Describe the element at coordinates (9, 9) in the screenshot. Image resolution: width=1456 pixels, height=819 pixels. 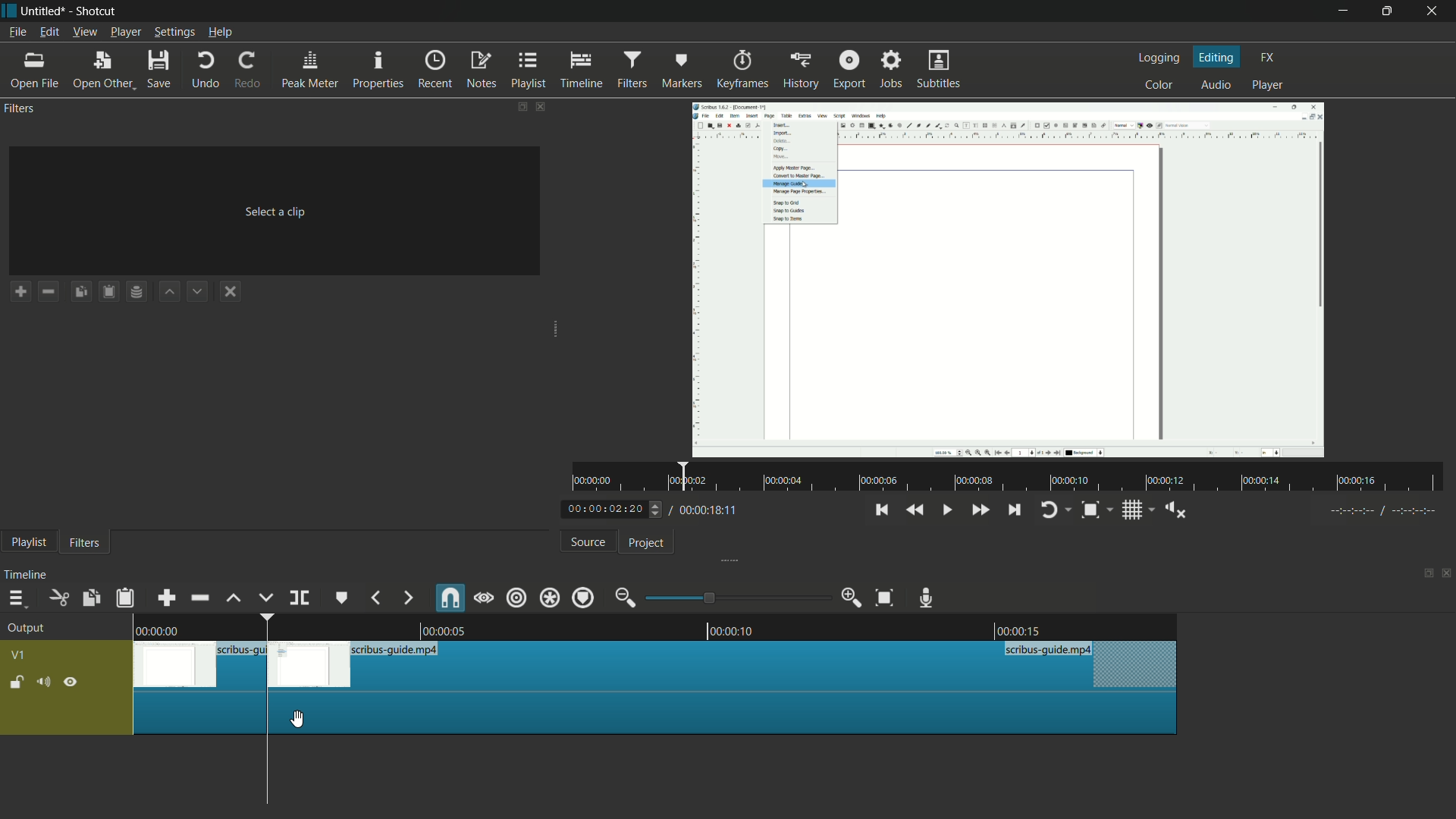
I see `app icon` at that location.